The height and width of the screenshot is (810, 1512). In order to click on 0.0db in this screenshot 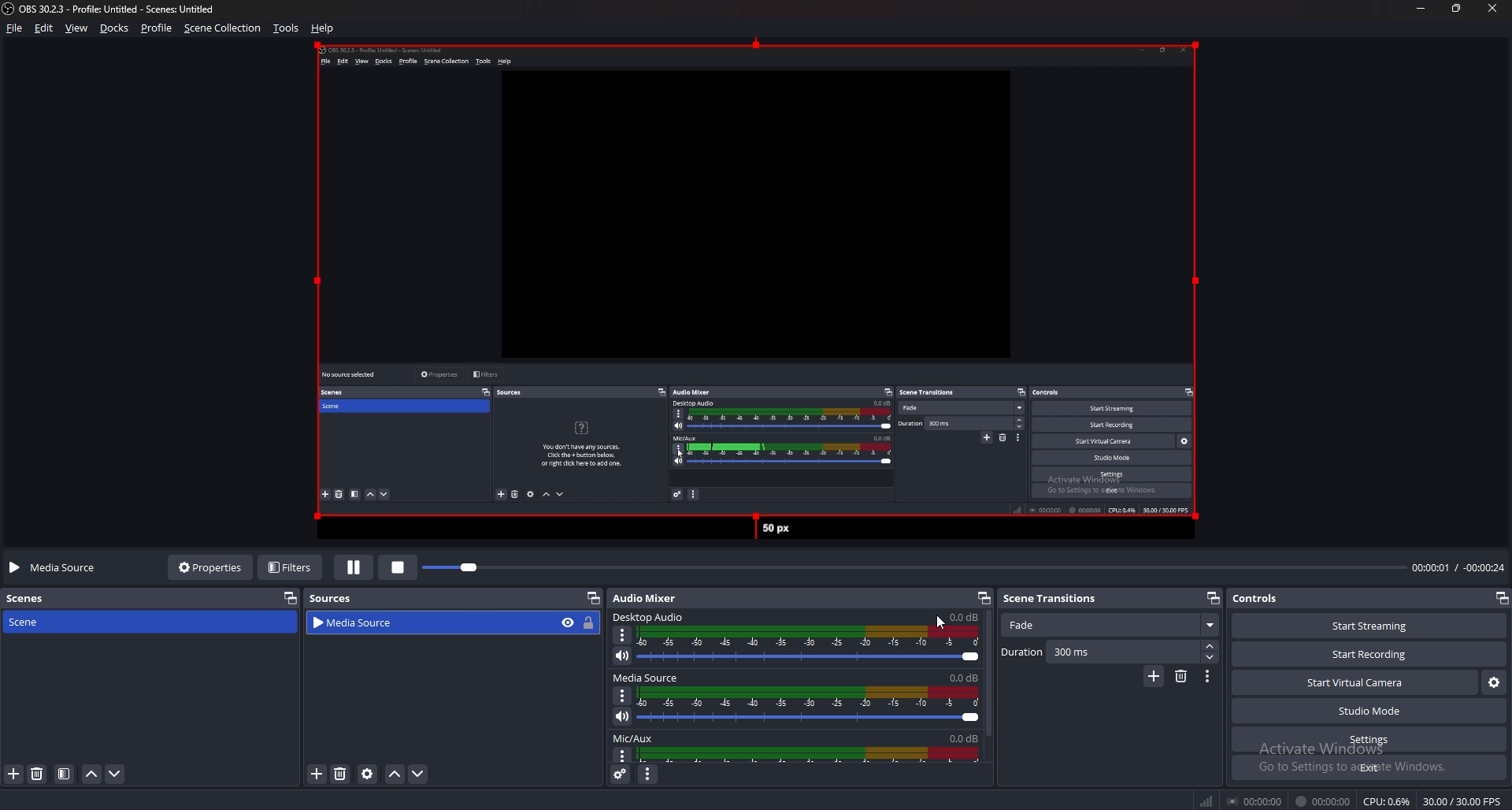, I will do `click(962, 616)`.